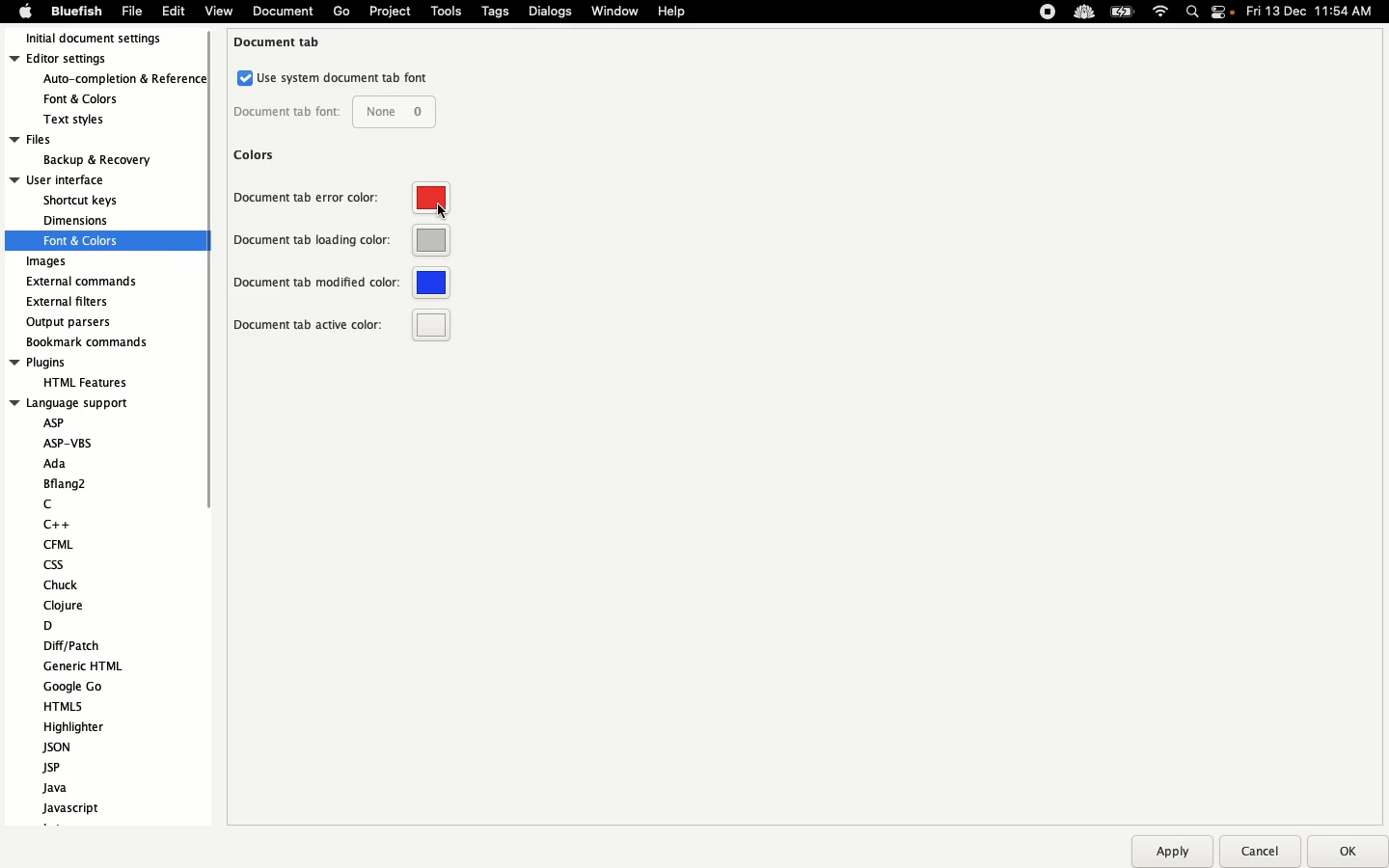 The image size is (1389, 868). What do you see at coordinates (447, 11) in the screenshot?
I see `Tools` at bounding box center [447, 11].